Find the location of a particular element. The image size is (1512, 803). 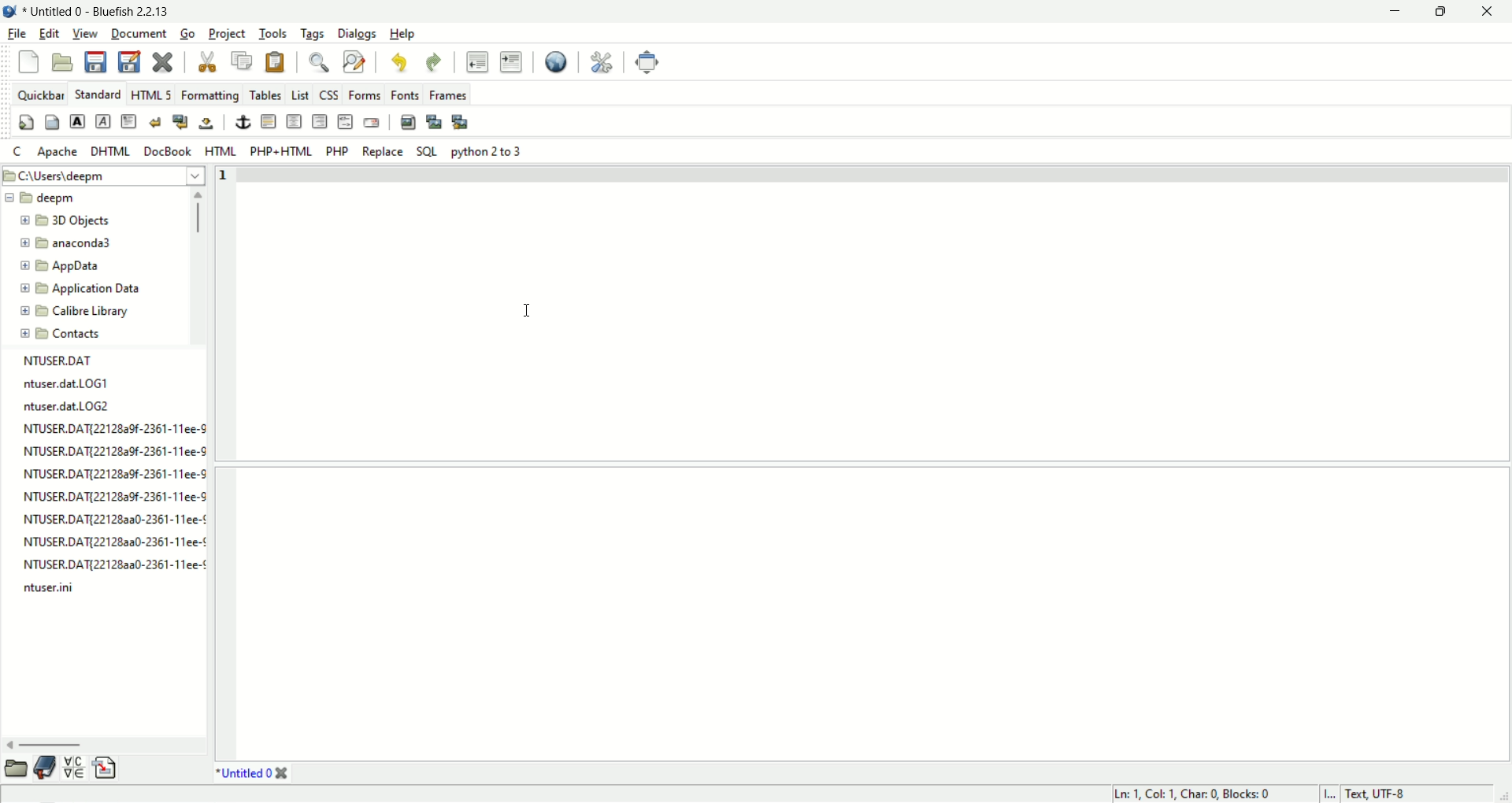

undo is located at coordinates (401, 62).